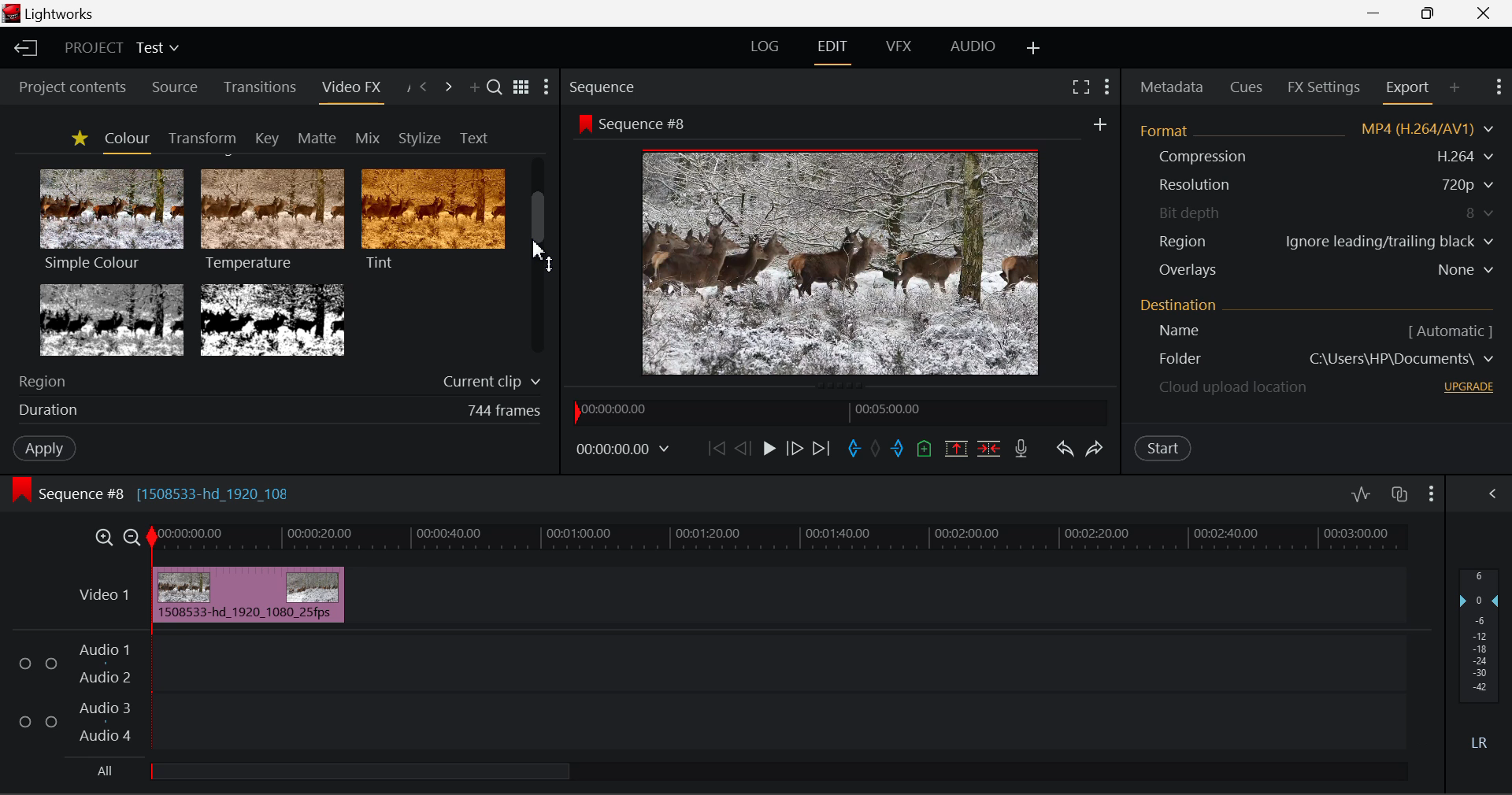 The width and height of the screenshot is (1512, 795). What do you see at coordinates (271, 220) in the screenshot?
I see `Temperature` at bounding box center [271, 220].